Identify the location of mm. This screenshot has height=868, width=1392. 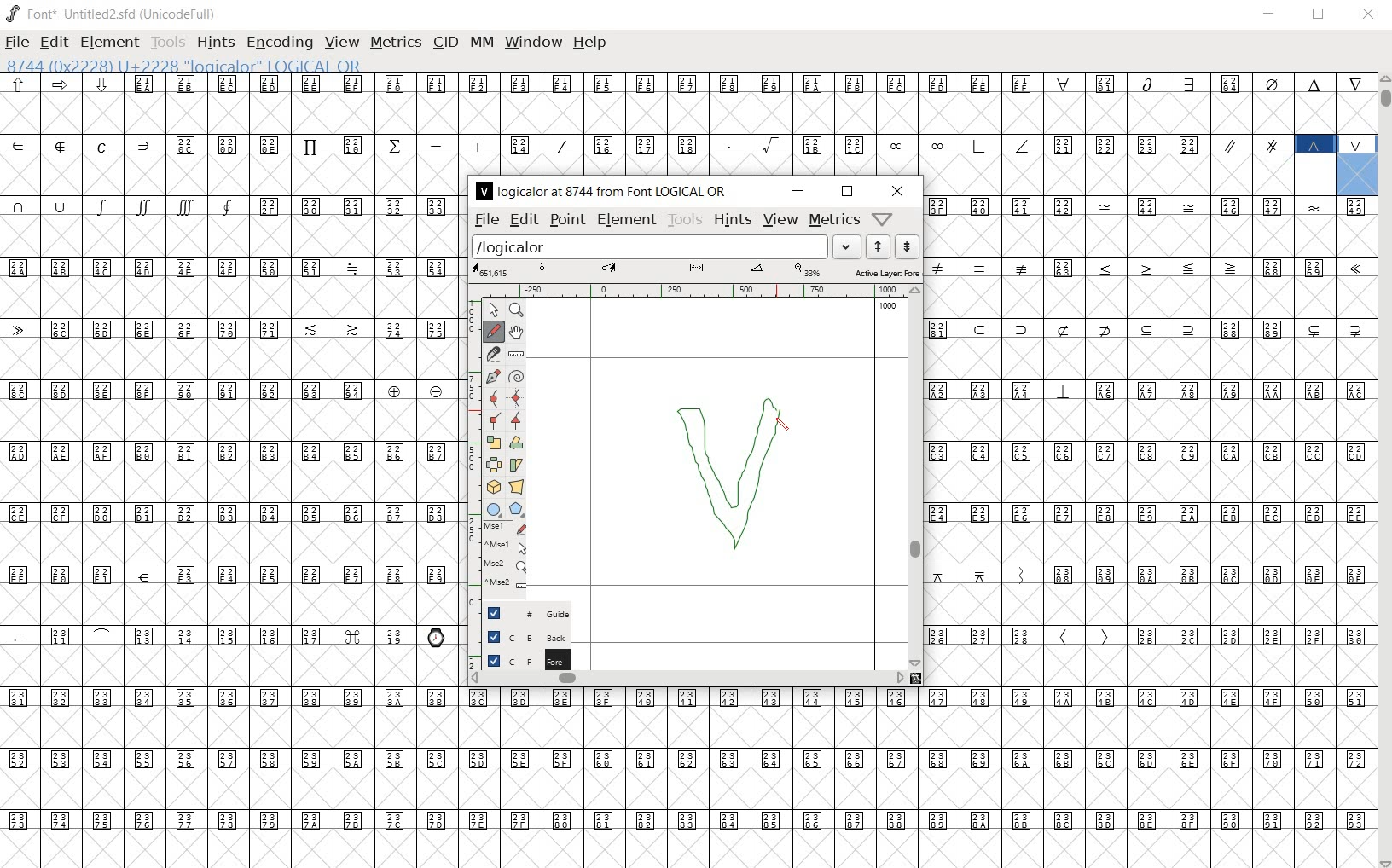
(479, 42).